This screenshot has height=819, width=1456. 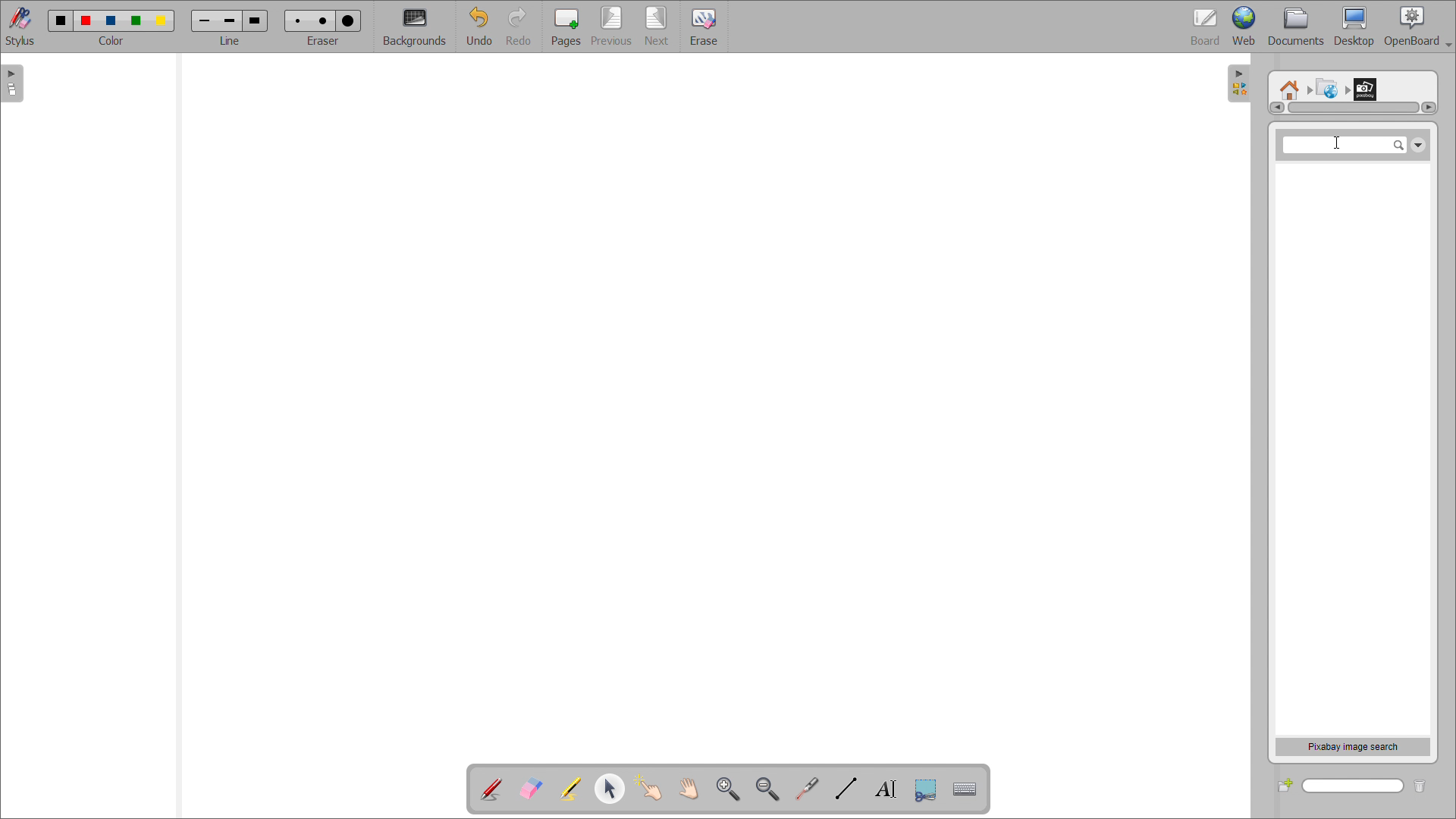 I want to click on Web search, so click(x=1325, y=86).